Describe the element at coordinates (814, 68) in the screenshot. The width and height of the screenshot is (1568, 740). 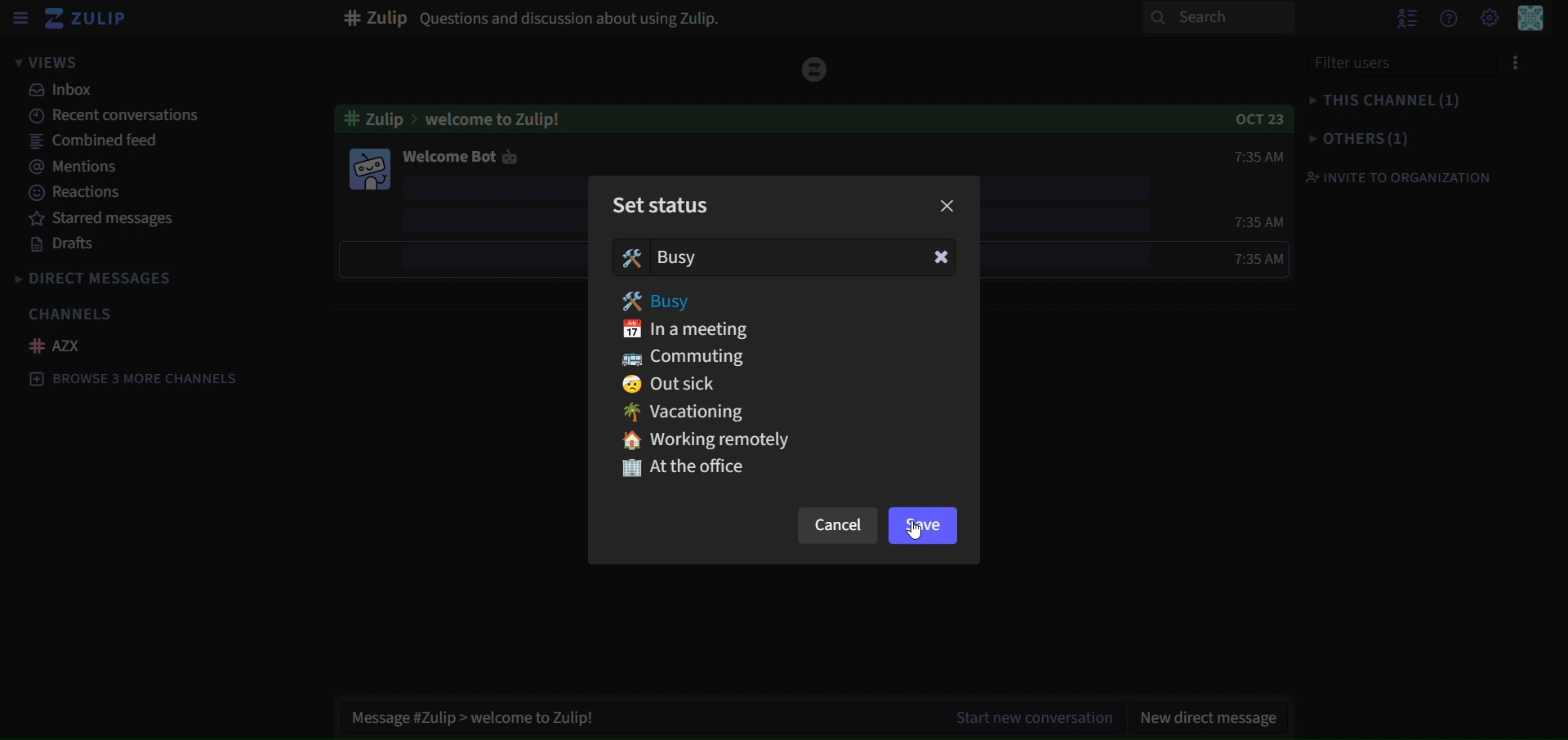
I see `icon` at that location.